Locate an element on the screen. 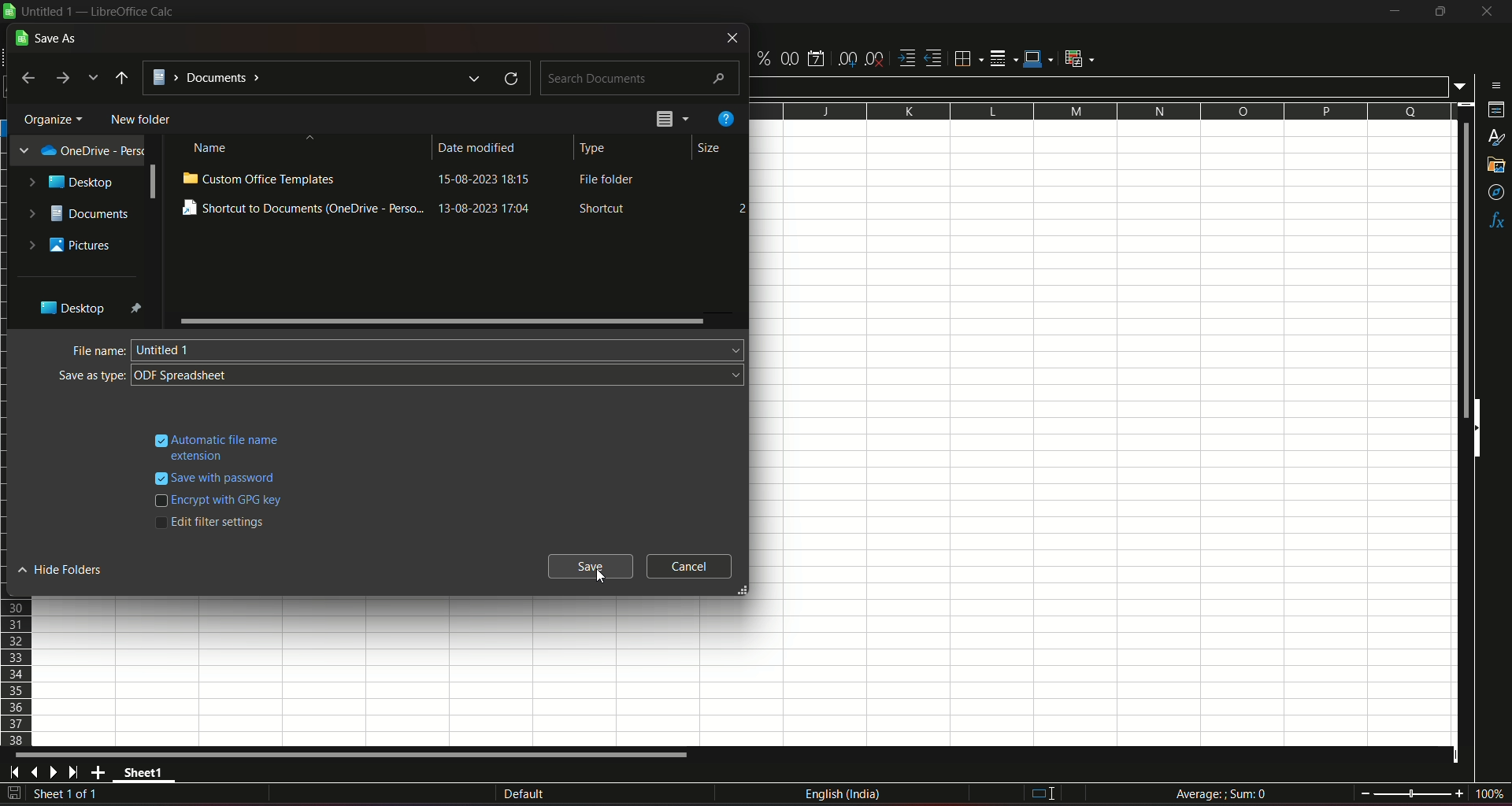 The width and height of the screenshot is (1512, 806). conditional is located at coordinates (1084, 59).